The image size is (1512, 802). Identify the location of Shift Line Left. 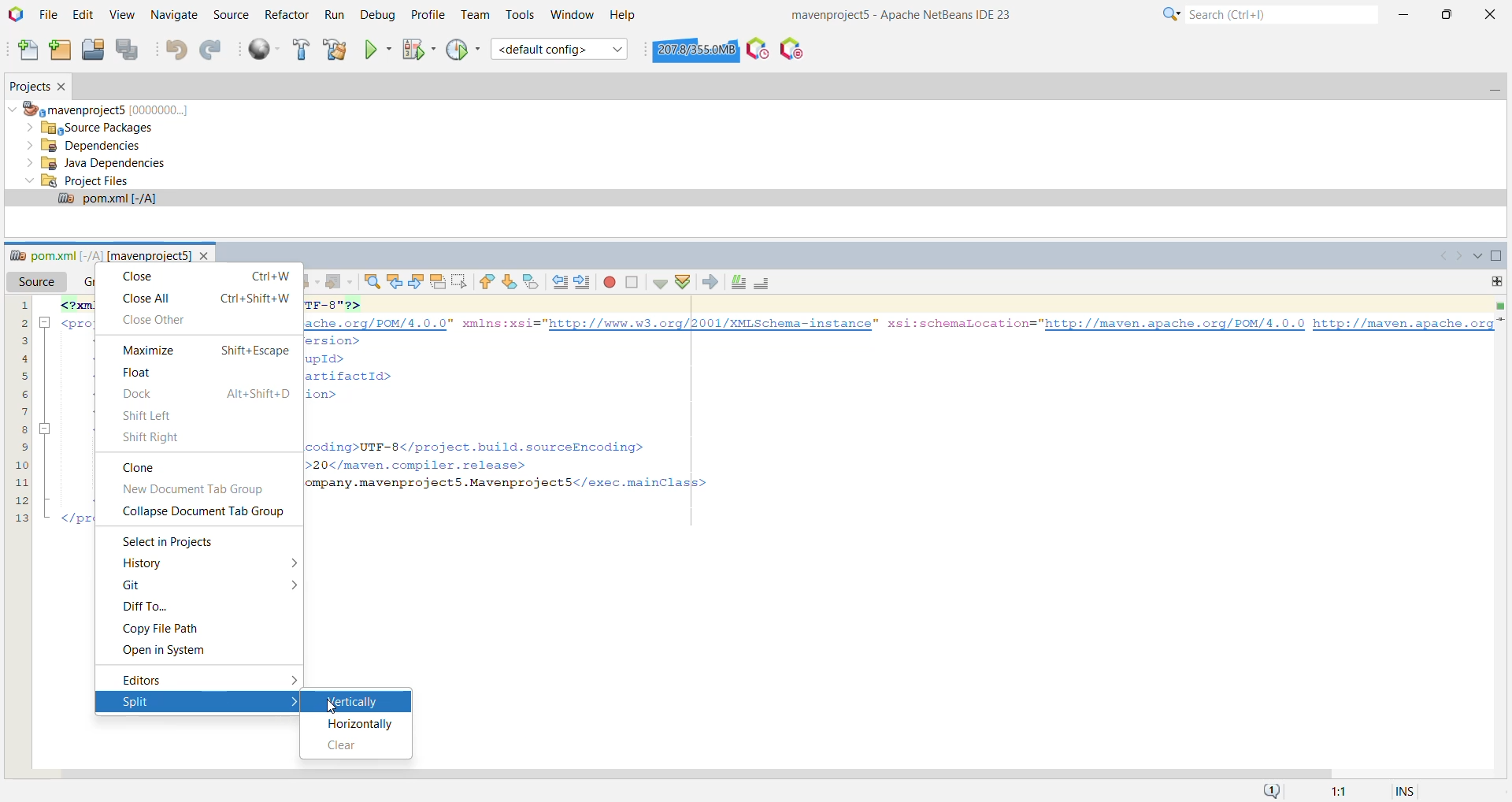
(558, 283).